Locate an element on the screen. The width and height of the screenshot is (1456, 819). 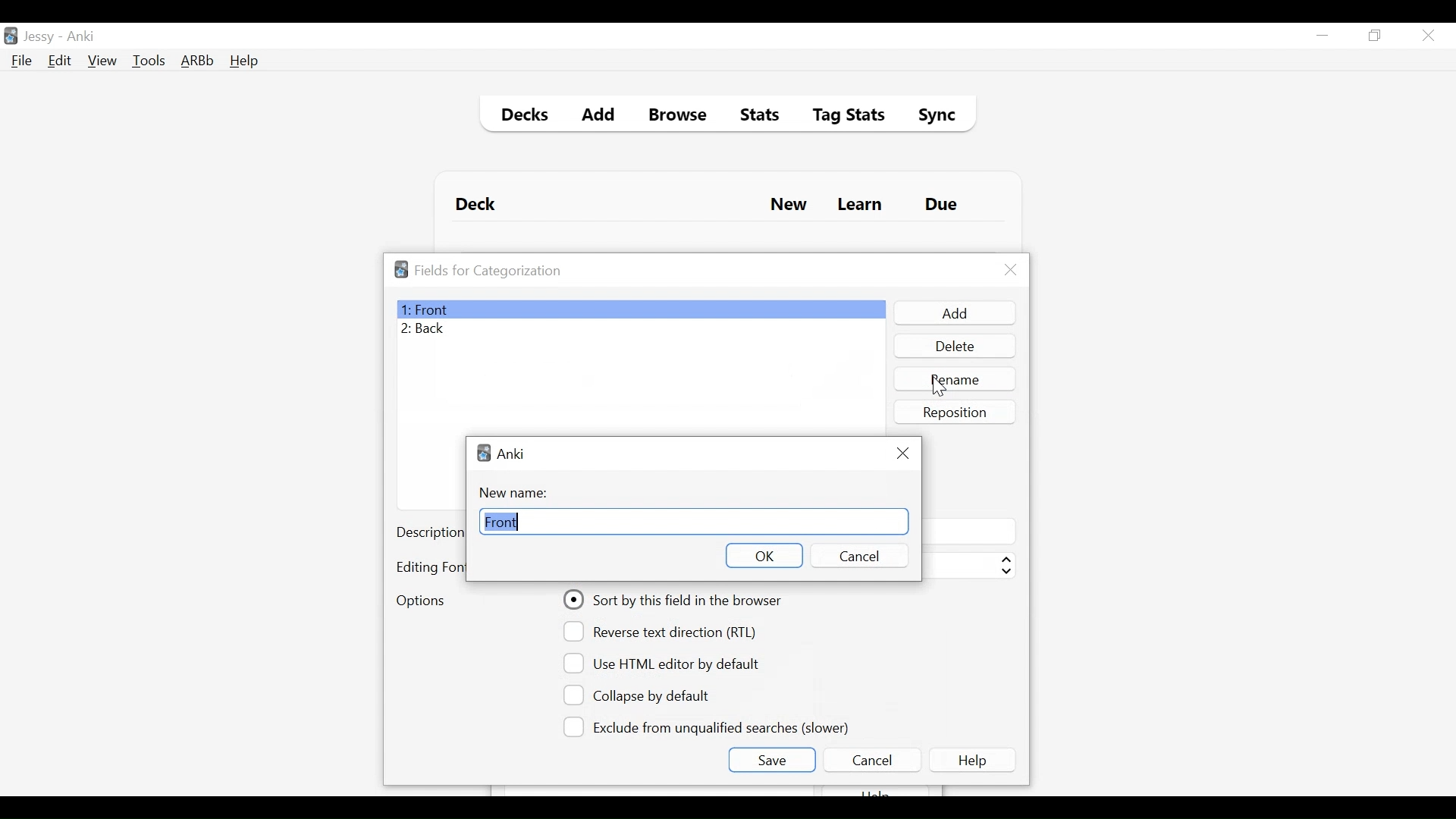
Adjust Font Size is located at coordinates (968, 566).